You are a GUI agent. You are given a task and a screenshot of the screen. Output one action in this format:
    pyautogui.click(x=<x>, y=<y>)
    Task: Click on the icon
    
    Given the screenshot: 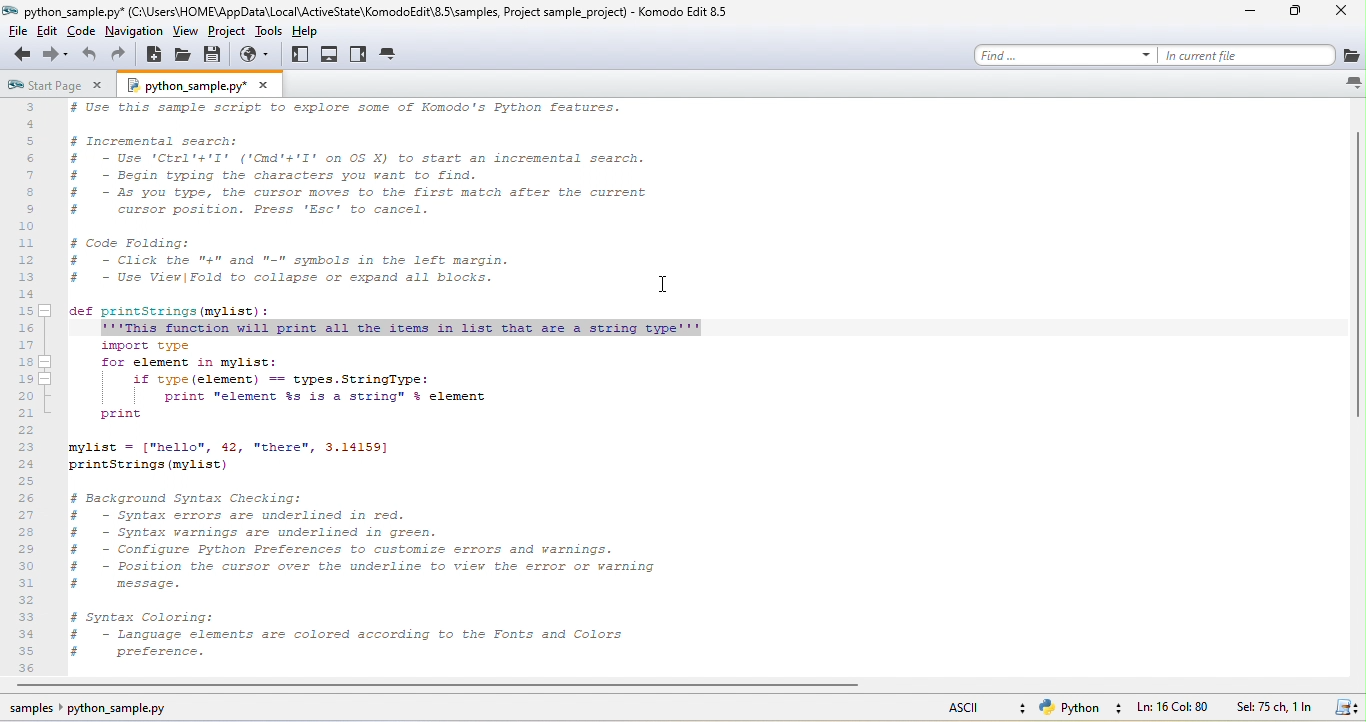 What is the action you would take?
    pyautogui.click(x=1350, y=56)
    